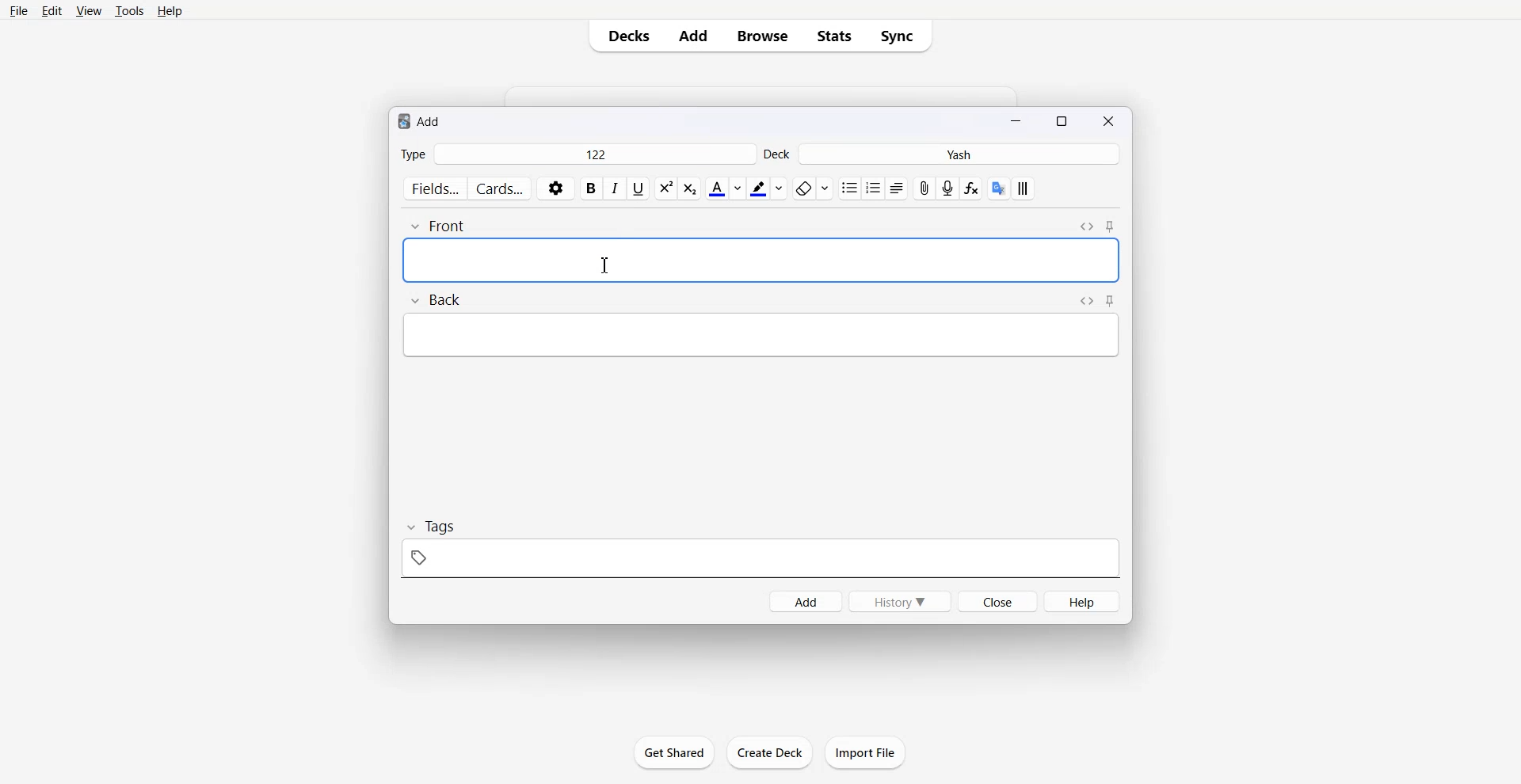 This screenshot has width=1521, height=784. What do you see at coordinates (897, 188) in the screenshot?
I see `Alignments` at bounding box center [897, 188].